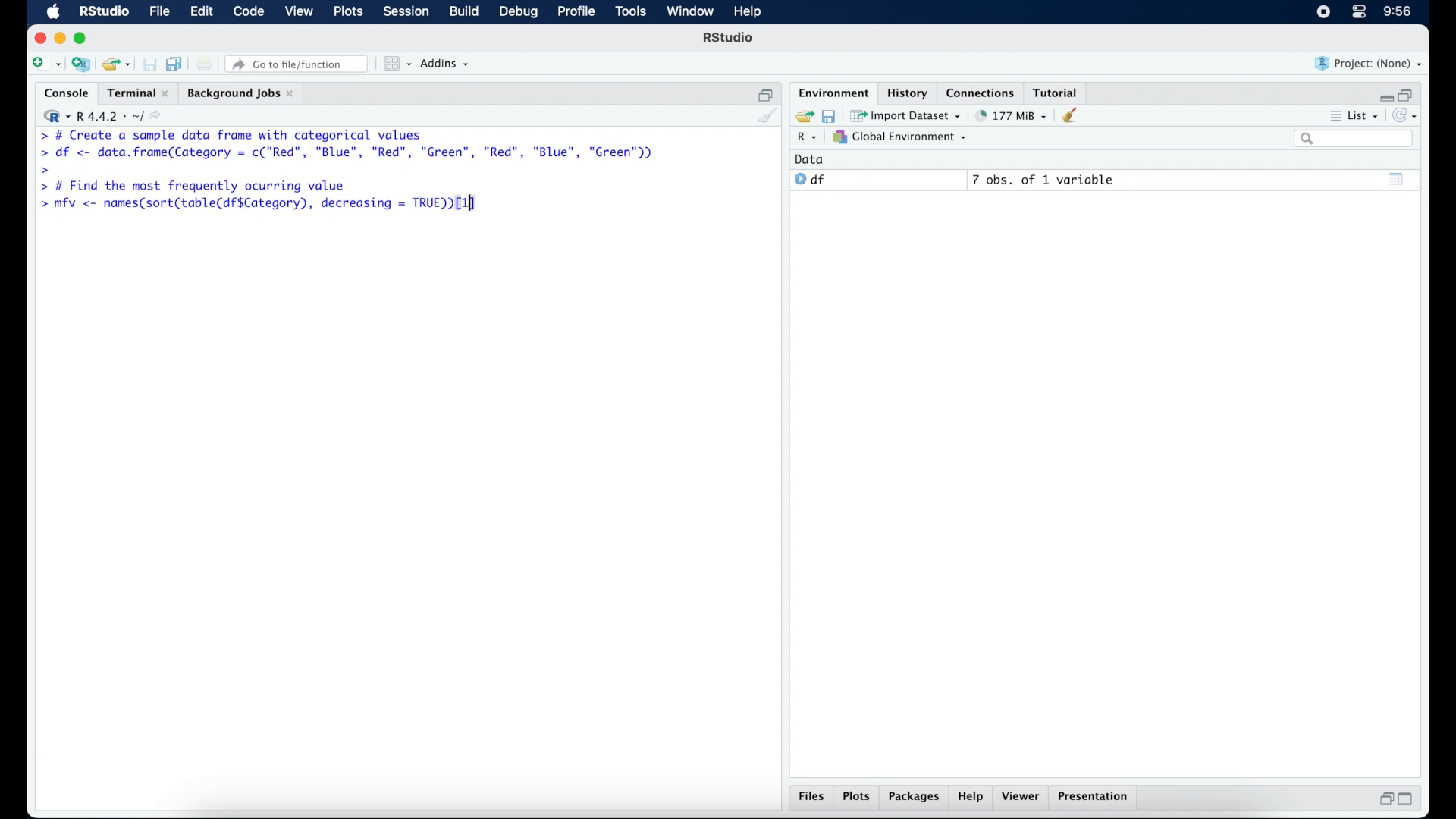 This screenshot has width=1456, height=819. I want to click on clear, so click(1075, 116).